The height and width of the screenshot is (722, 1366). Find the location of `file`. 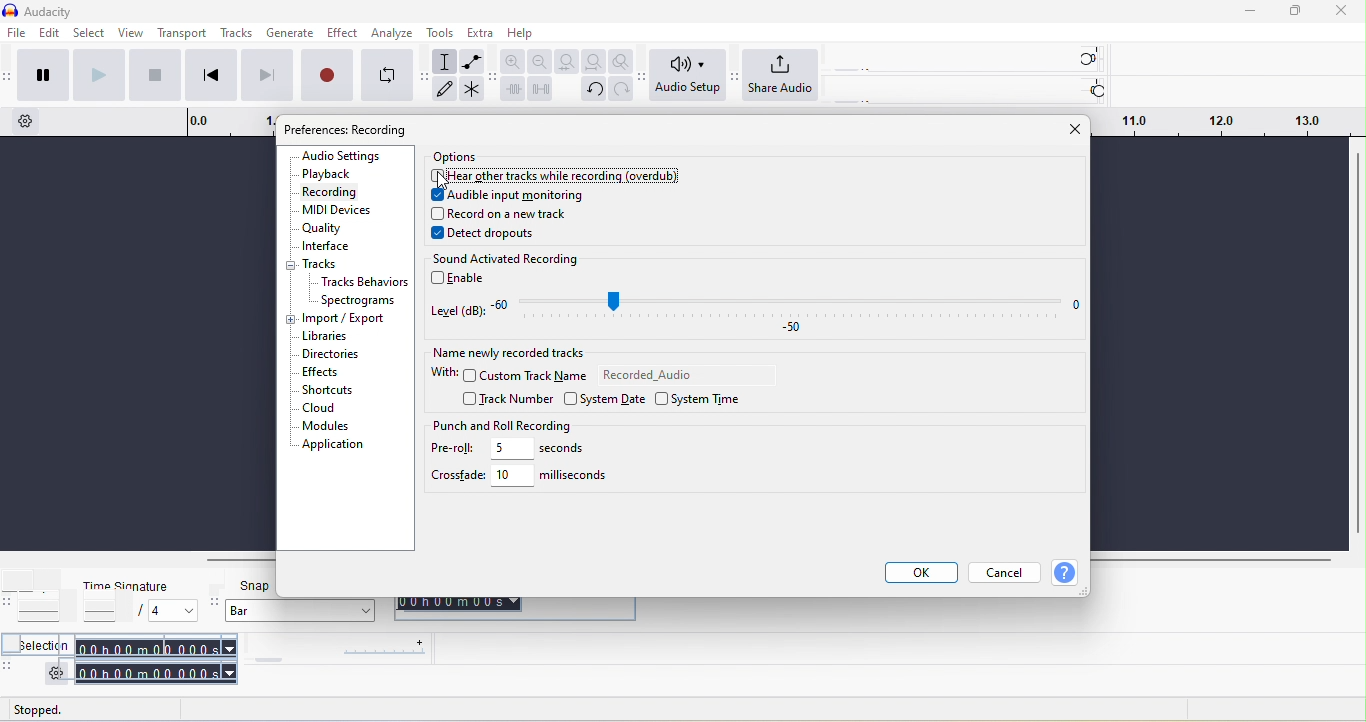

file is located at coordinates (18, 34).